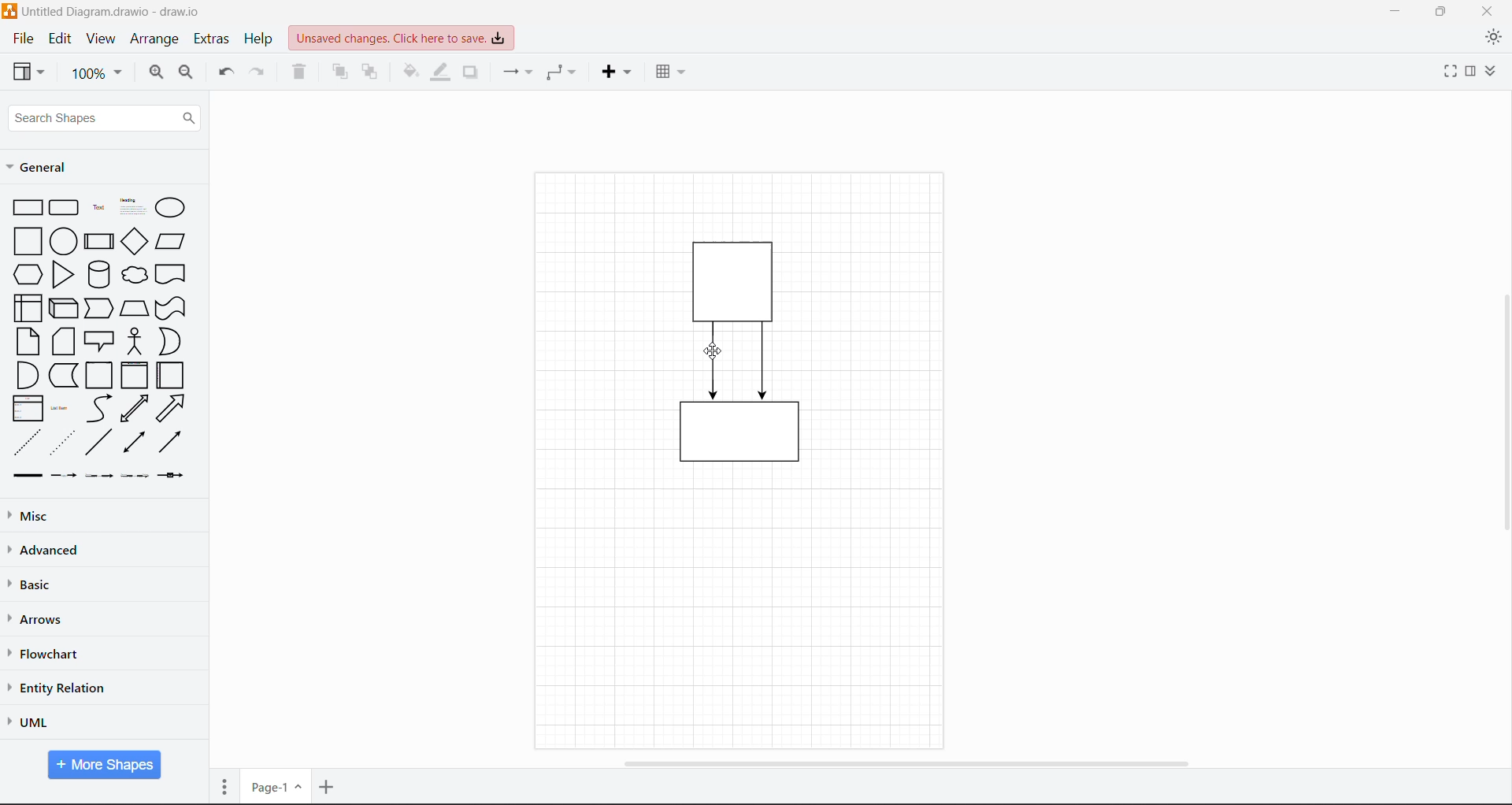 The image size is (1512, 805). Describe the element at coordinates (341, 72) in the screenshot. I see `To Front` at that location.